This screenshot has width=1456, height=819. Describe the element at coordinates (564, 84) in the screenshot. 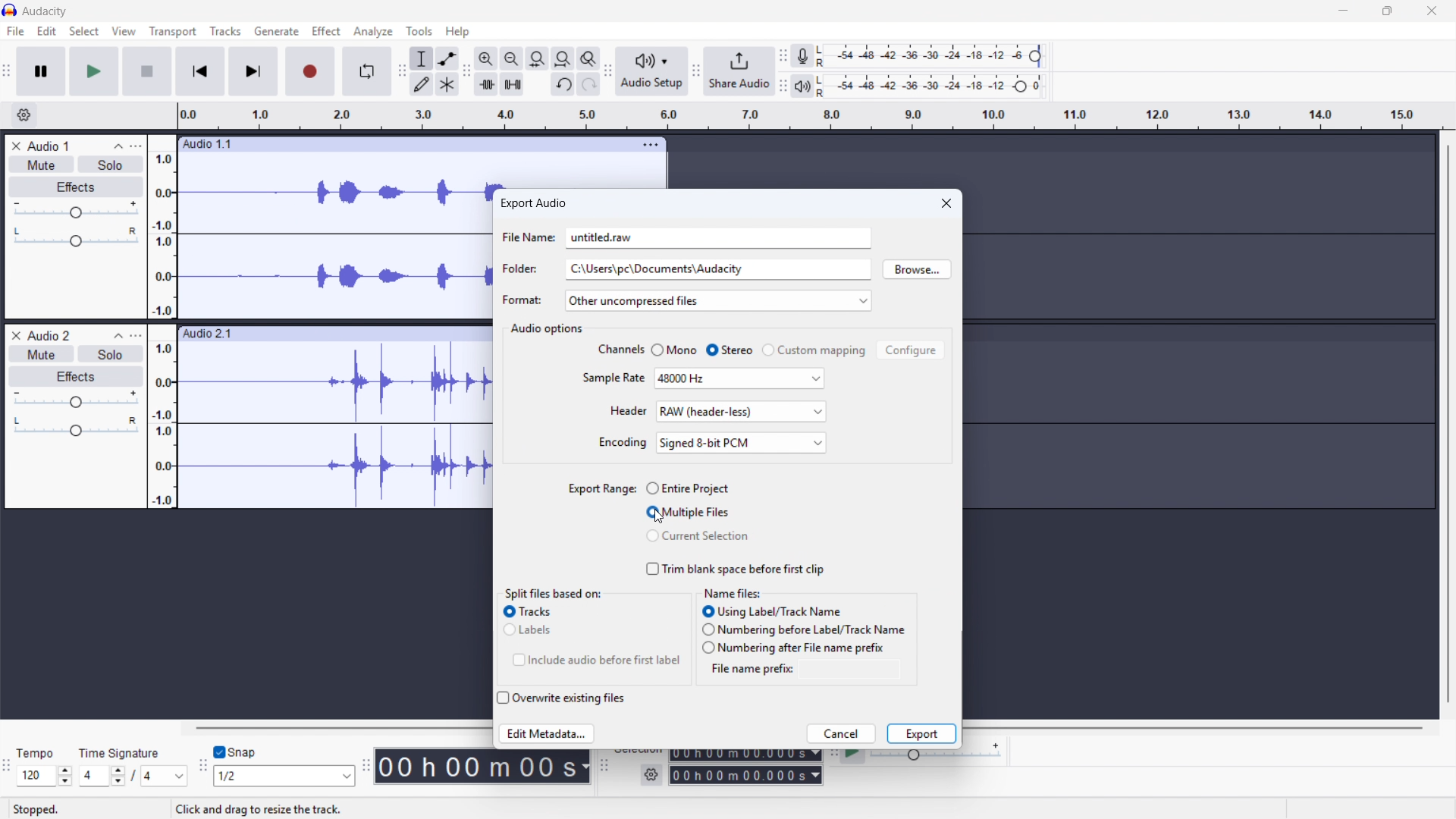

I see `Undo ` at that location.